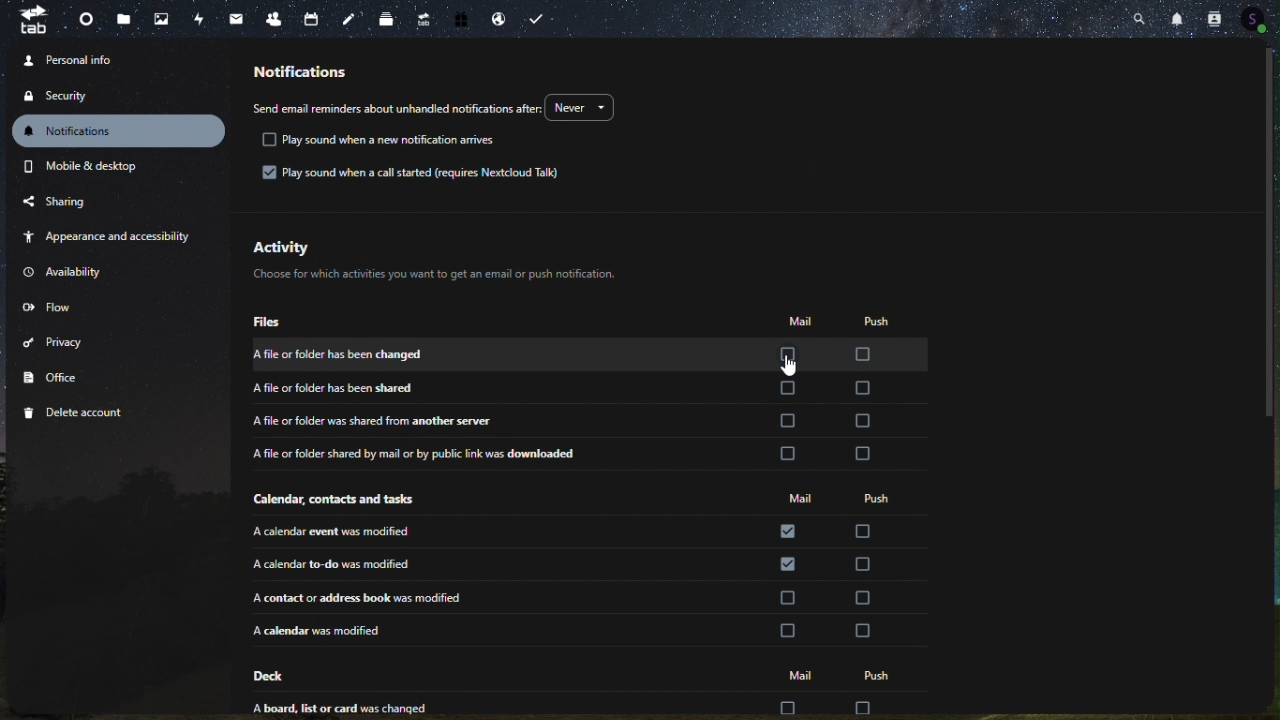 Image resolution: width=1280 pixels, height=720 pixels. Describe the element at coordinates (422, 20) in the screenshot. I see `upgrade` at that location.